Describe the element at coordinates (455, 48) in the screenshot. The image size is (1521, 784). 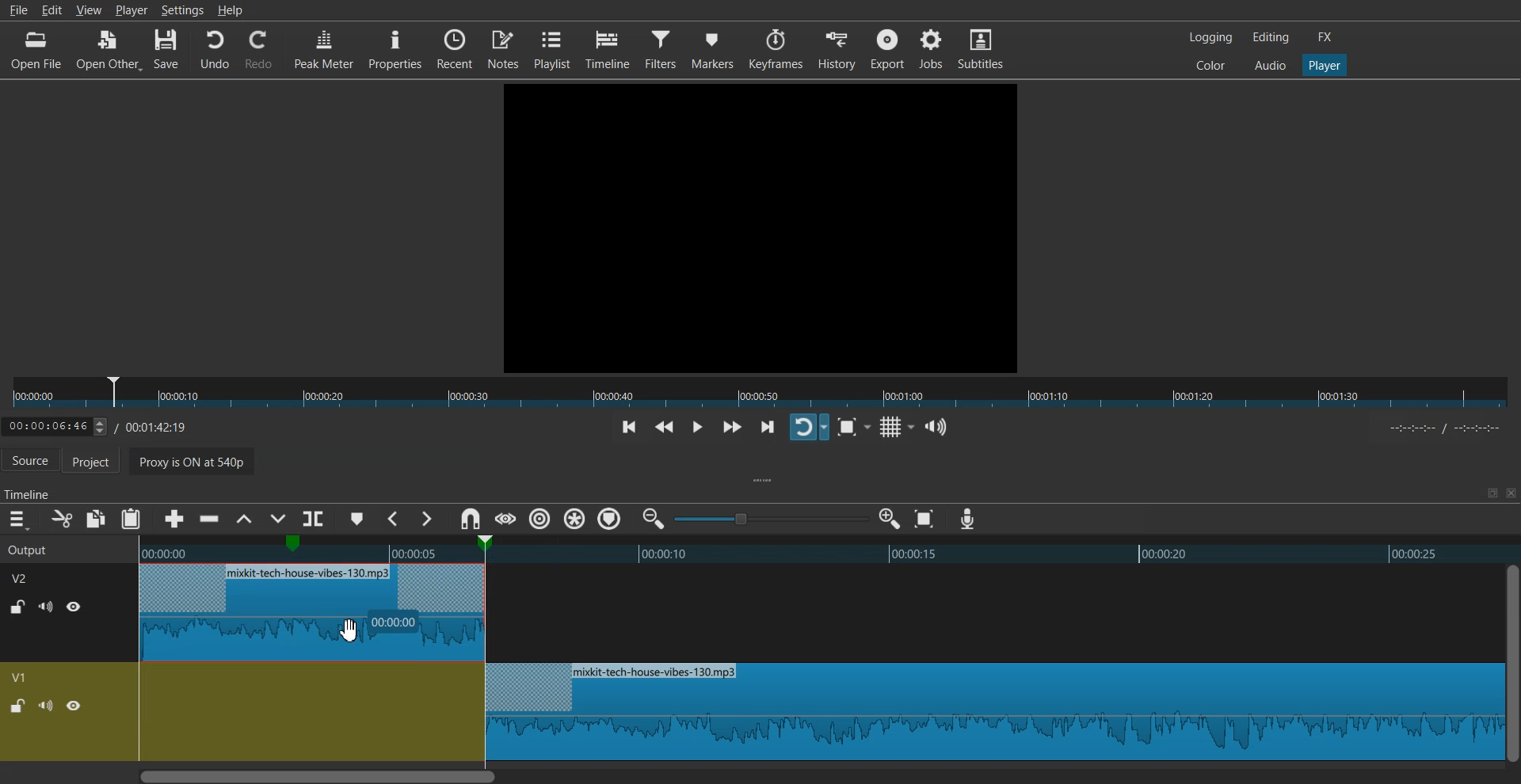
I see `Recent` at that location.